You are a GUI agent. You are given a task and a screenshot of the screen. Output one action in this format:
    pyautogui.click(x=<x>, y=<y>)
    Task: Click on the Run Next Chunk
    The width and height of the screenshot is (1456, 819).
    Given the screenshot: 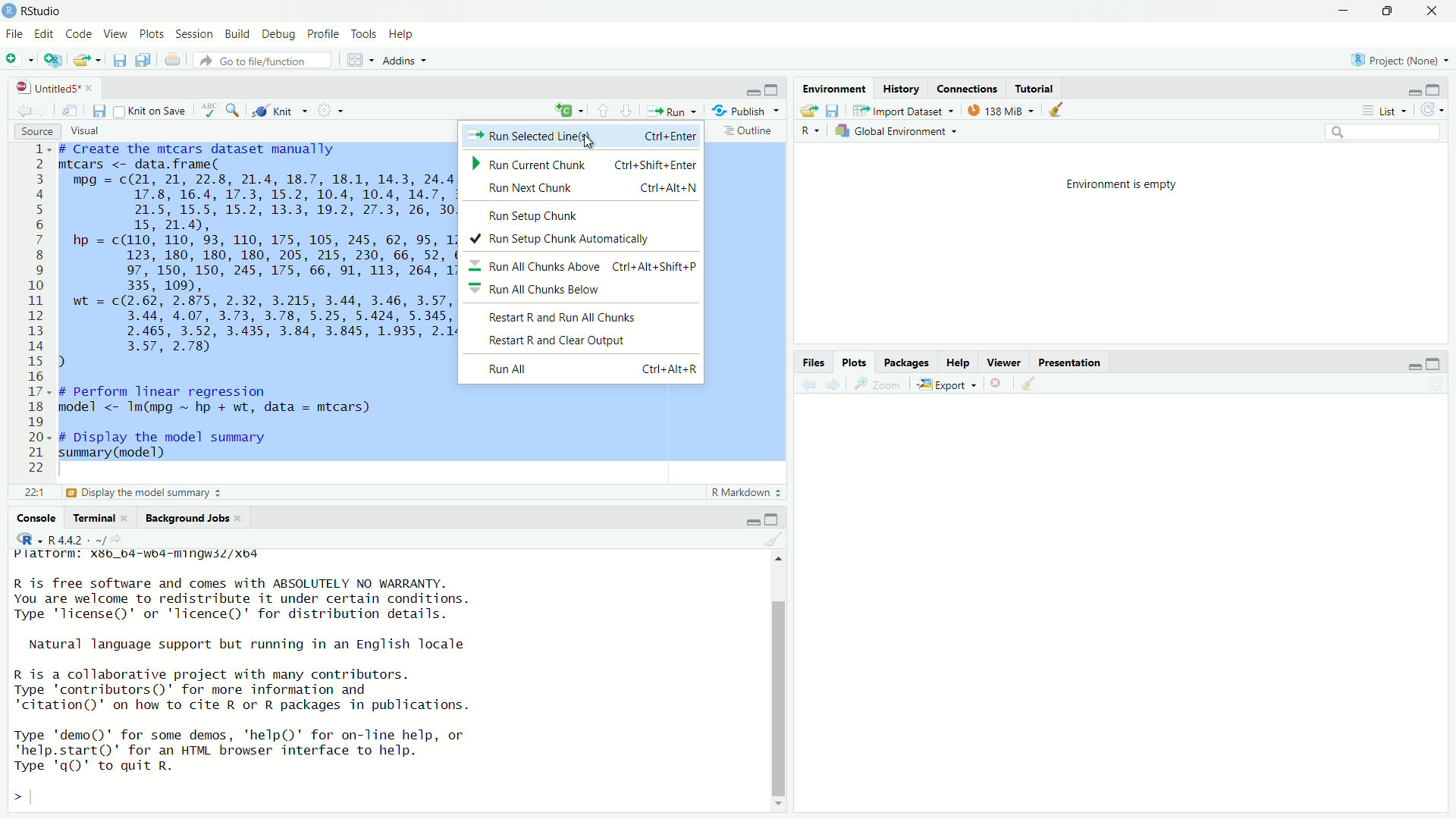 What is the action you would take?
    pyautogui.click(x=532, y=190)
    